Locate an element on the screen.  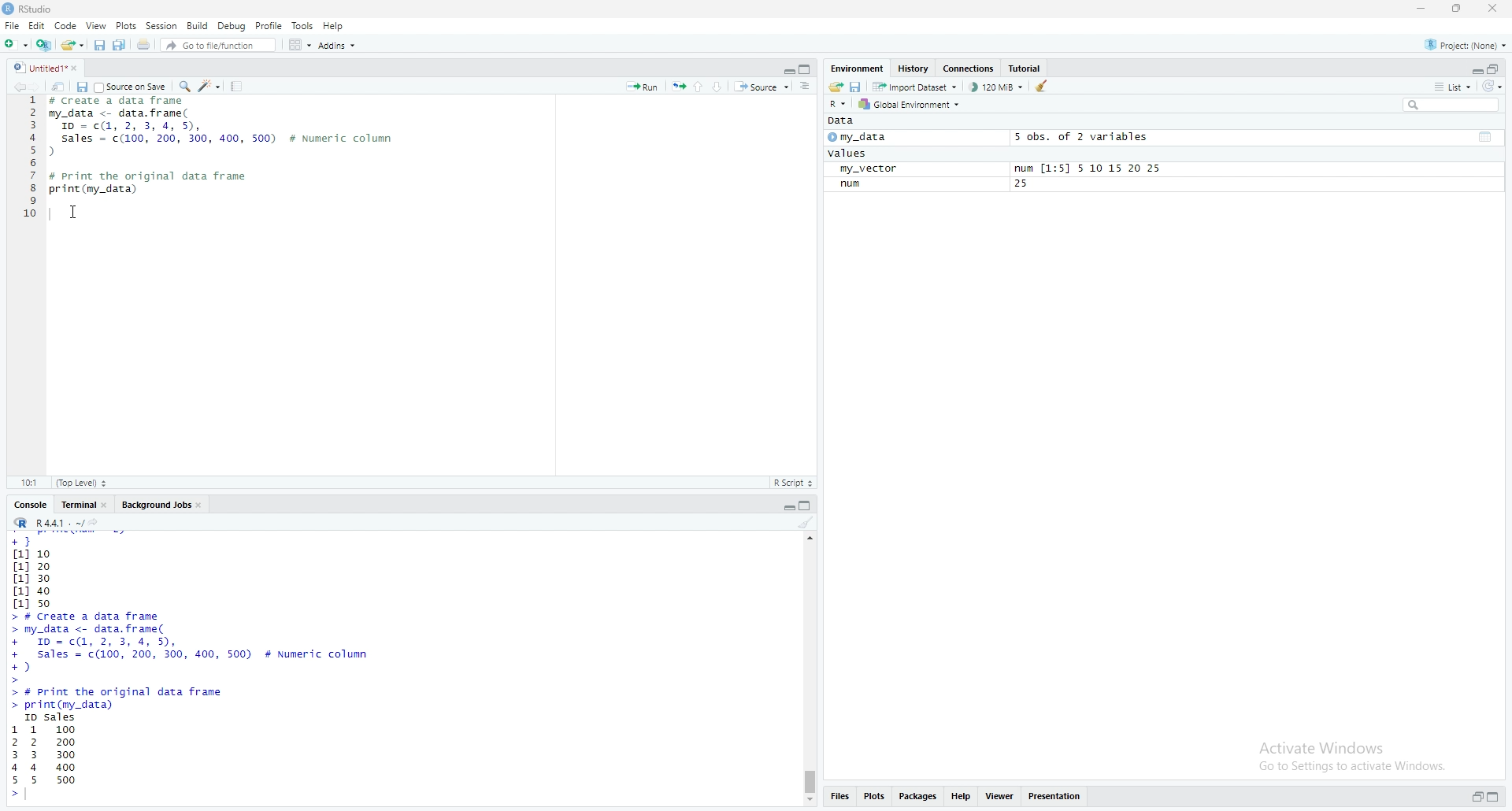
move up is located at coordinates (810, 543).